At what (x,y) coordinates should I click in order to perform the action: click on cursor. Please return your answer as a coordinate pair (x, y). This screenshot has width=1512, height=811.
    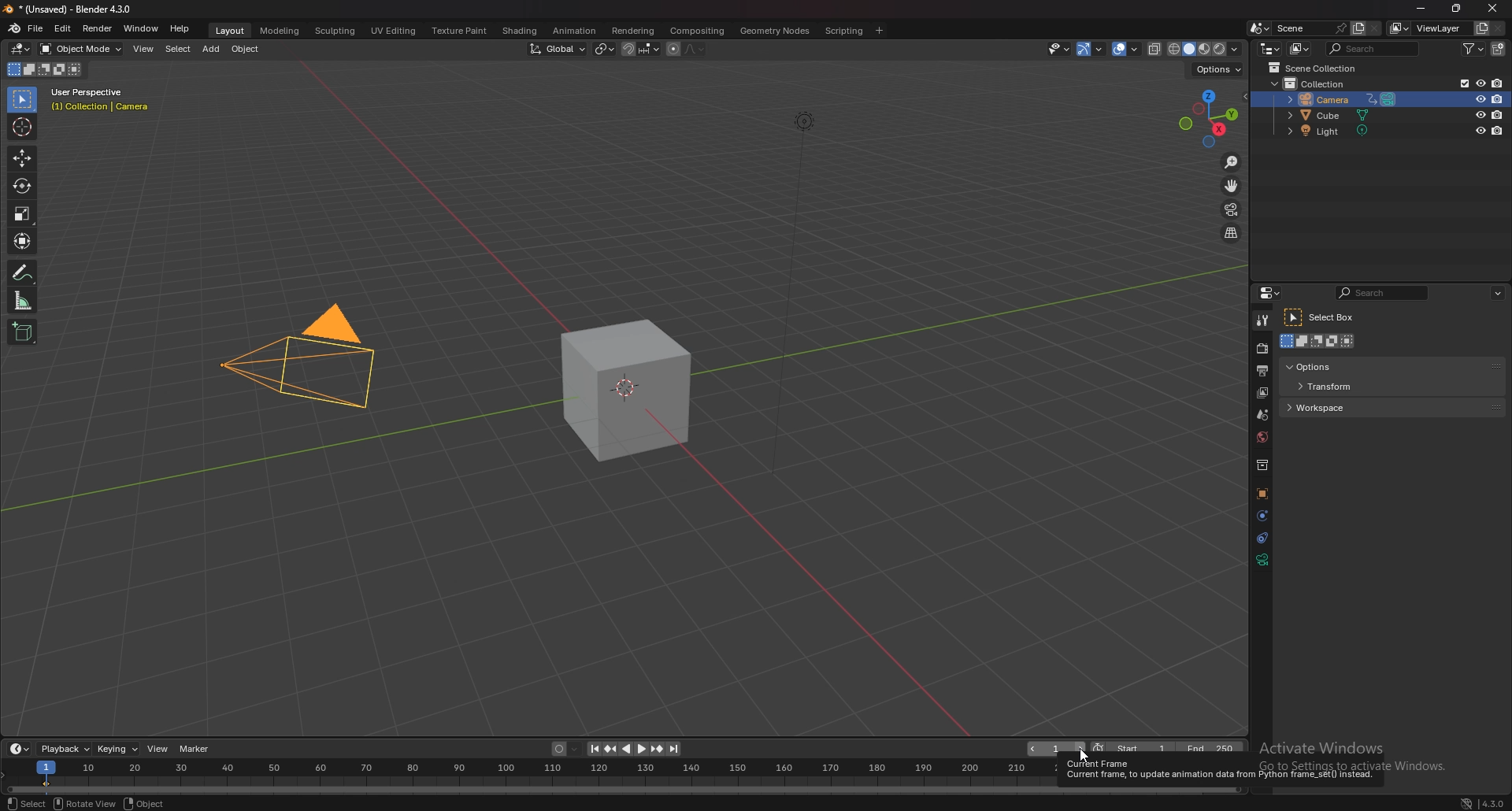
    Looking at the image, I should click on (24, 126).